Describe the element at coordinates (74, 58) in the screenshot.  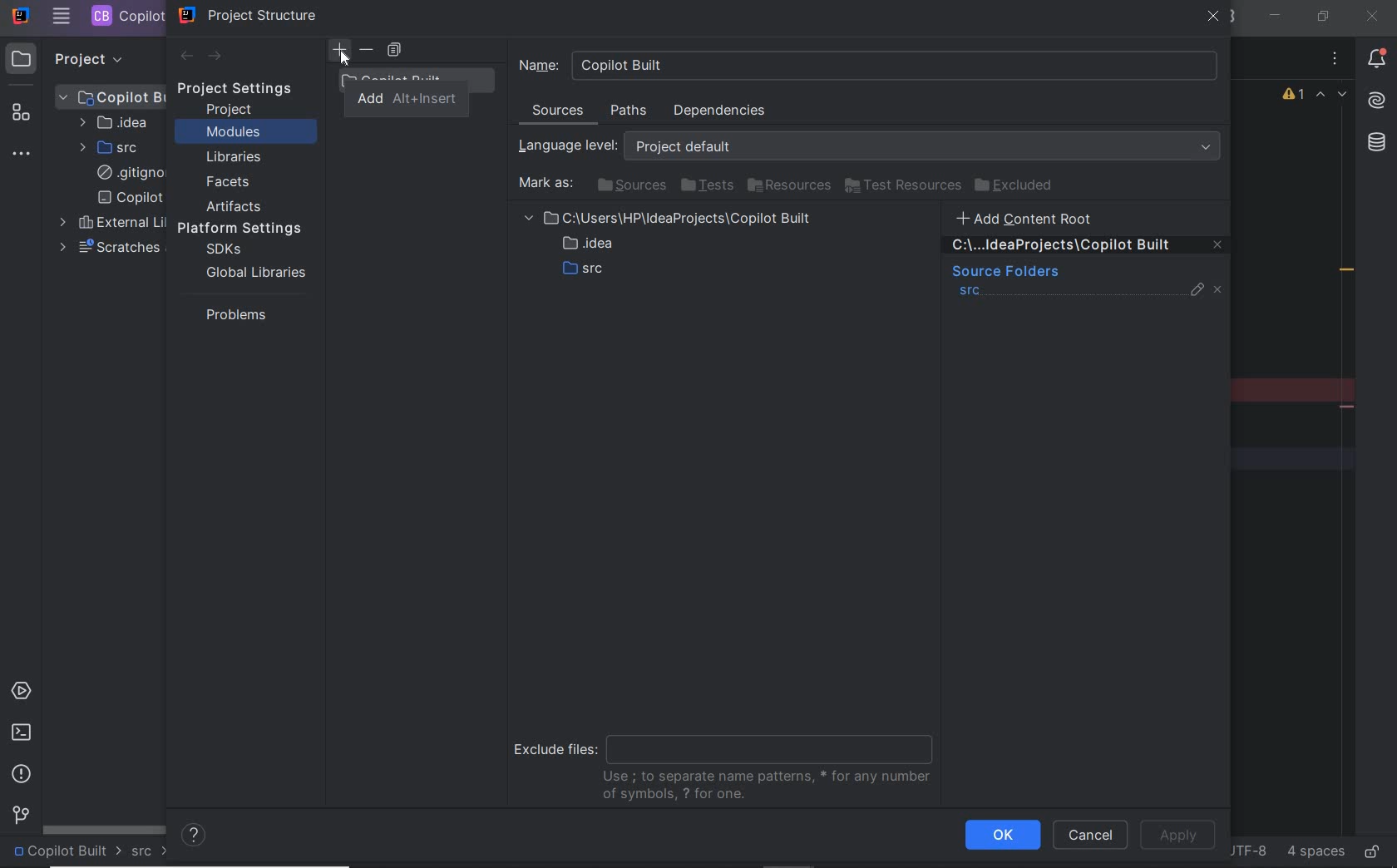
I see `PROJECT` at that location.